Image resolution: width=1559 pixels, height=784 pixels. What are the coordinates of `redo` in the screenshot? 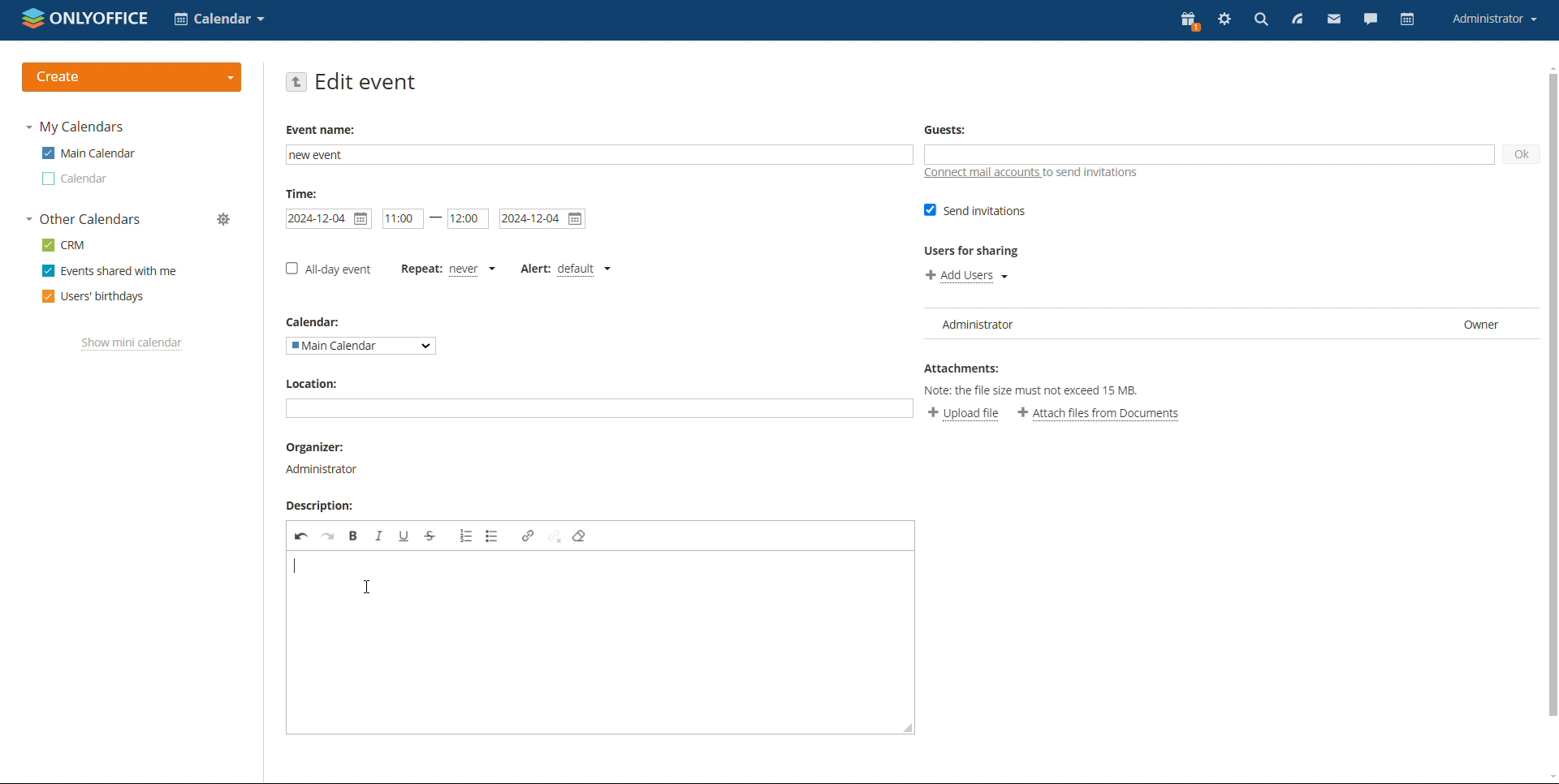 It's located at (328, 536).